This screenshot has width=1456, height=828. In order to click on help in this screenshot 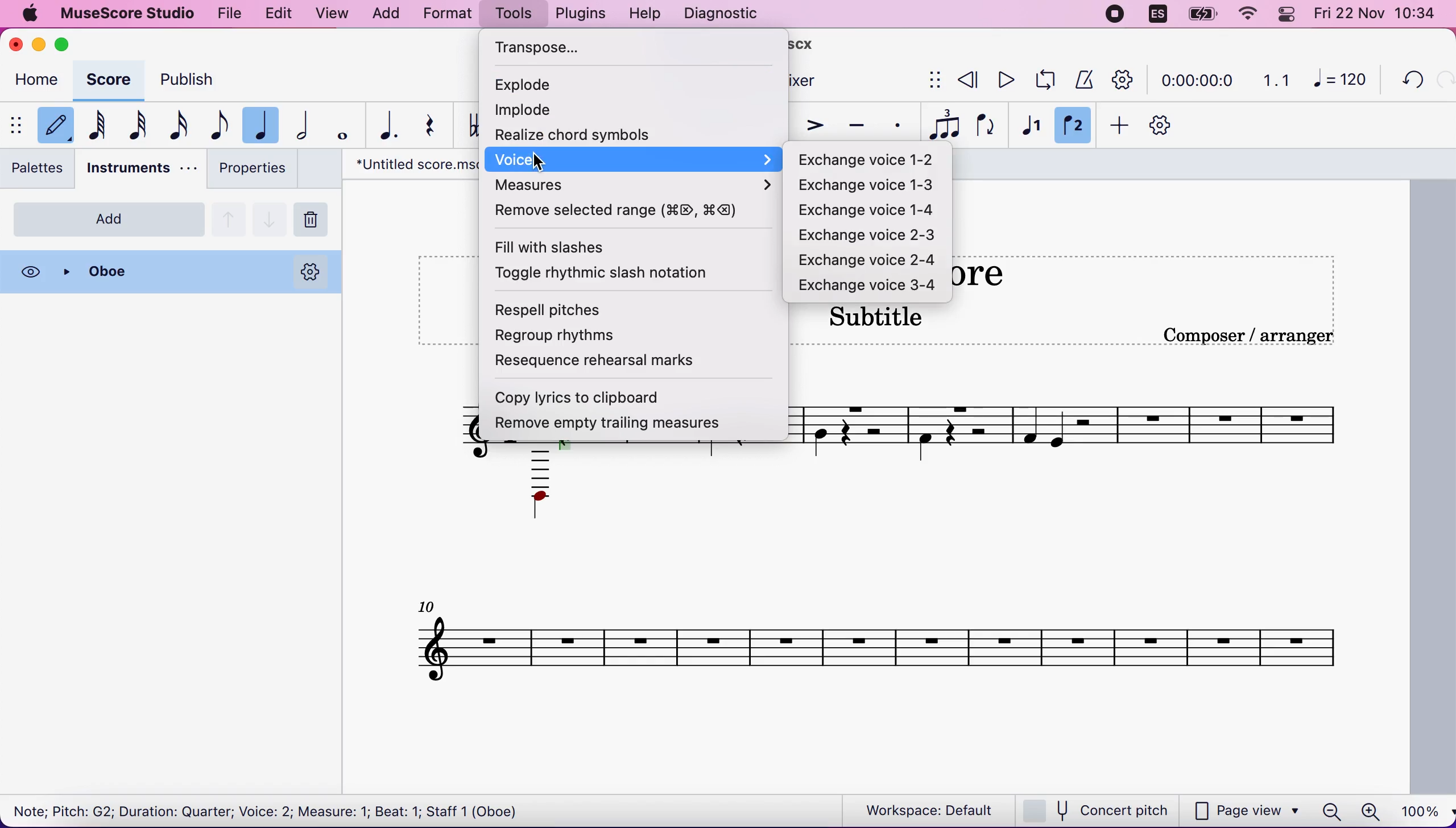, I will do `click(647, 13)`.